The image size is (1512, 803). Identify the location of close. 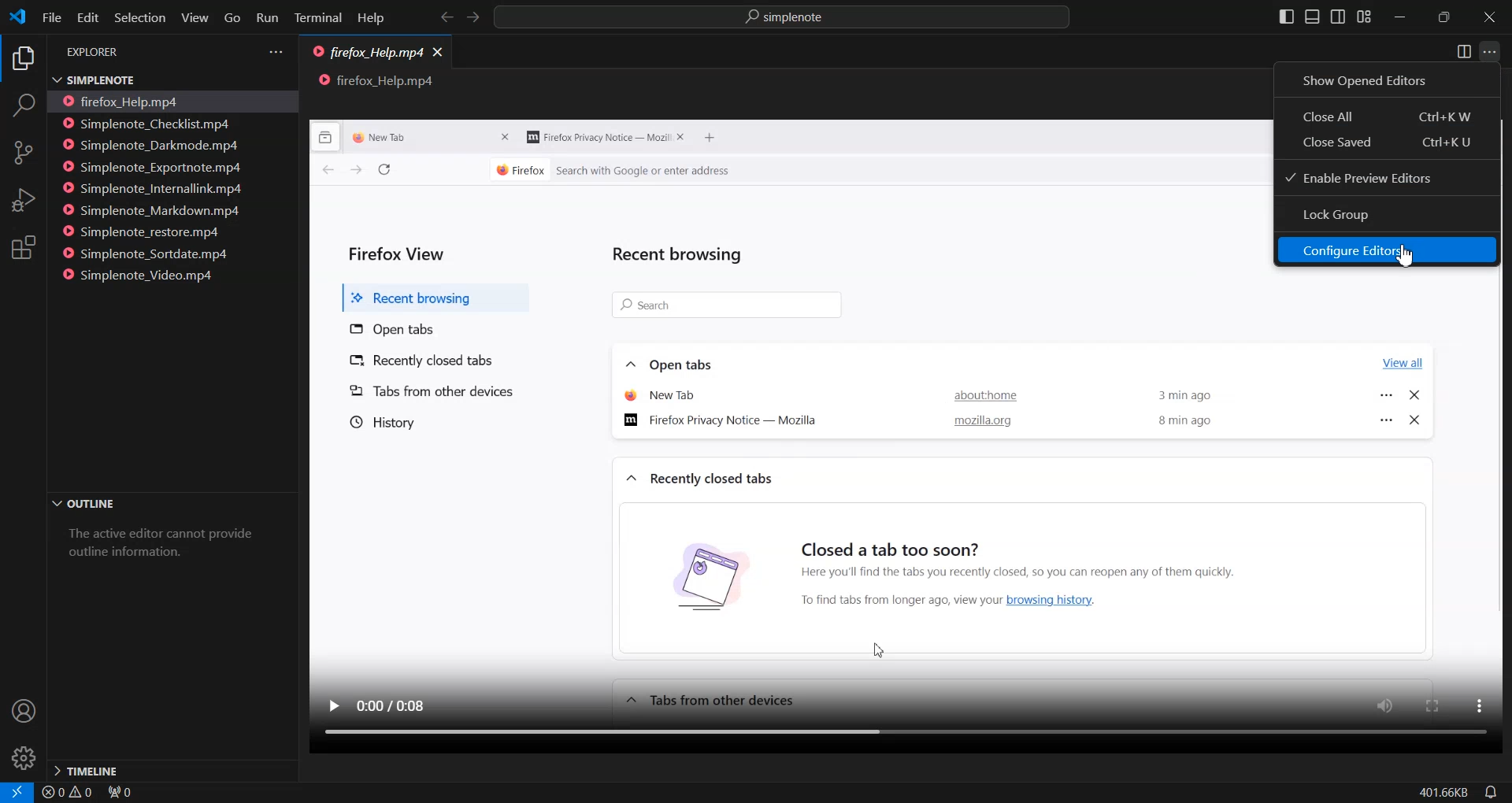
(1417, 419).